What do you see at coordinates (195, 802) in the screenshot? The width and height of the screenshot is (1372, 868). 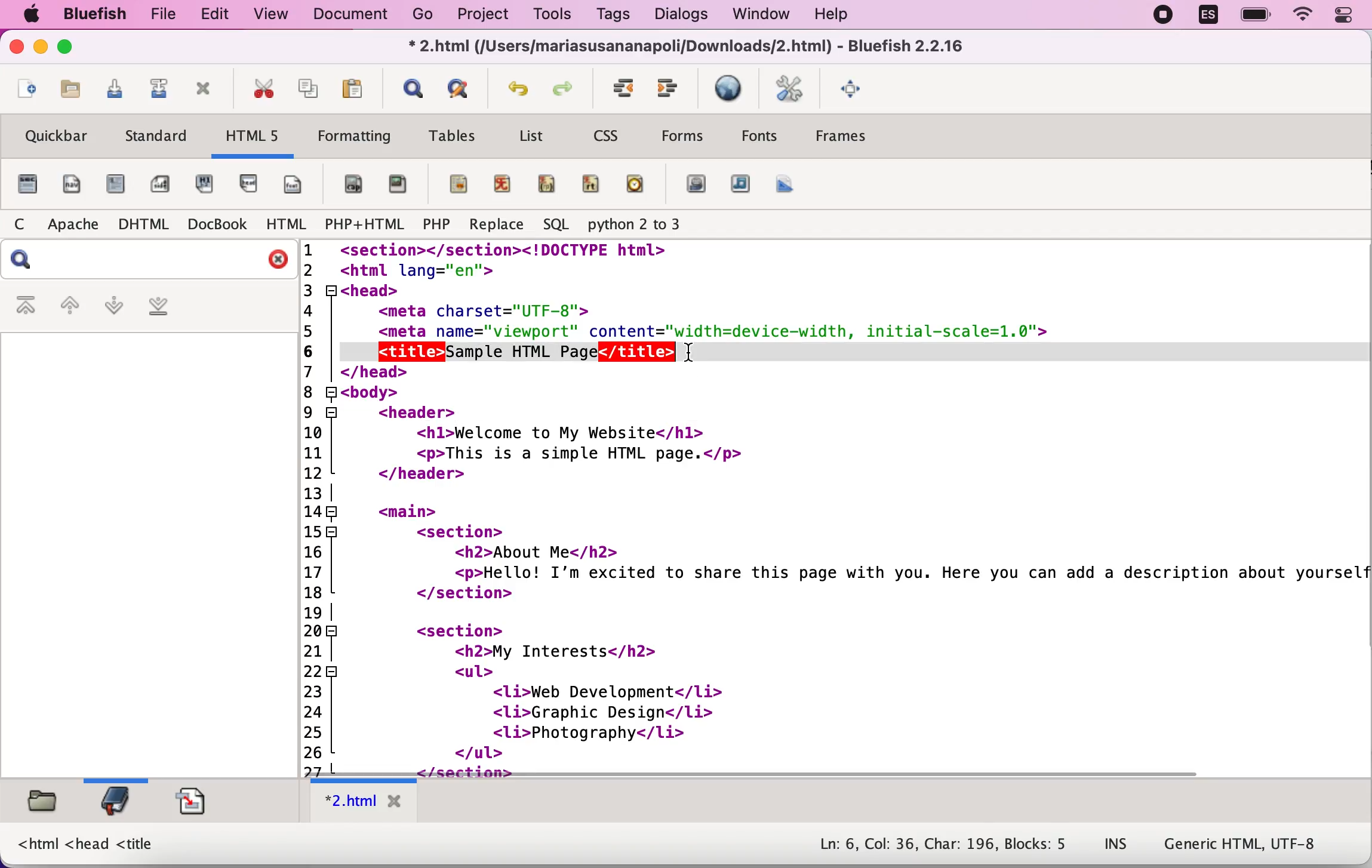 I see `snippets` at bounding box center [195, 802].